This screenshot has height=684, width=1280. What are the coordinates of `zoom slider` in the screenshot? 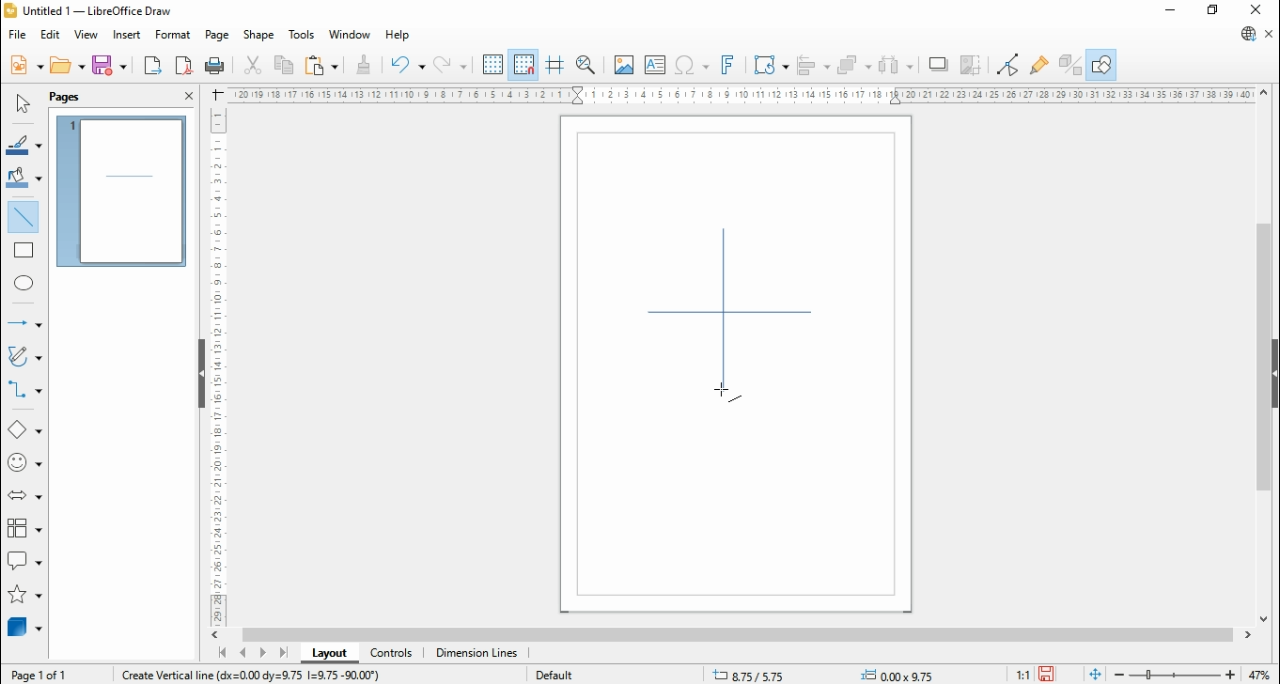 It's located at (1173, 675).